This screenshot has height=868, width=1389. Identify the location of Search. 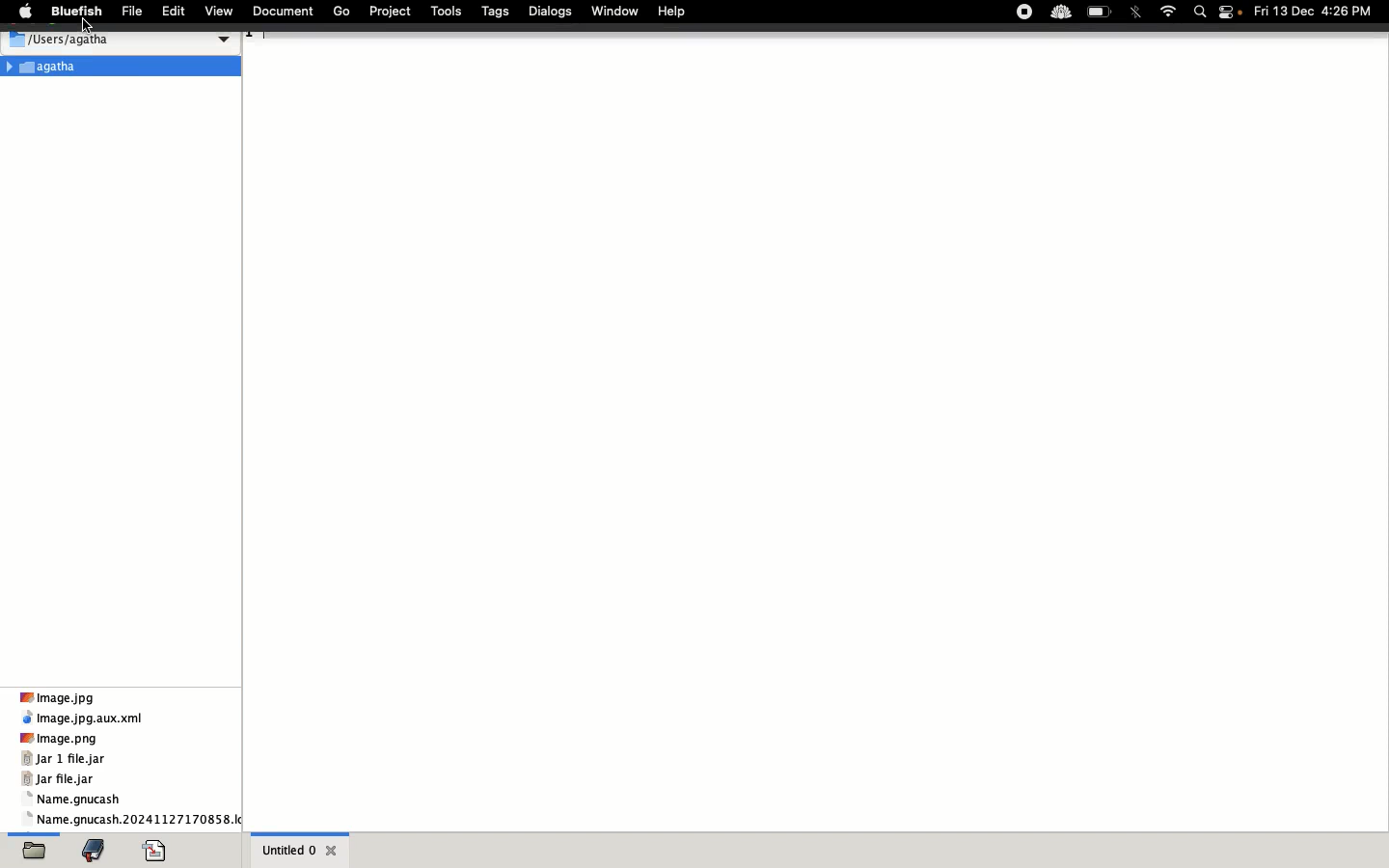
(1202, 13).